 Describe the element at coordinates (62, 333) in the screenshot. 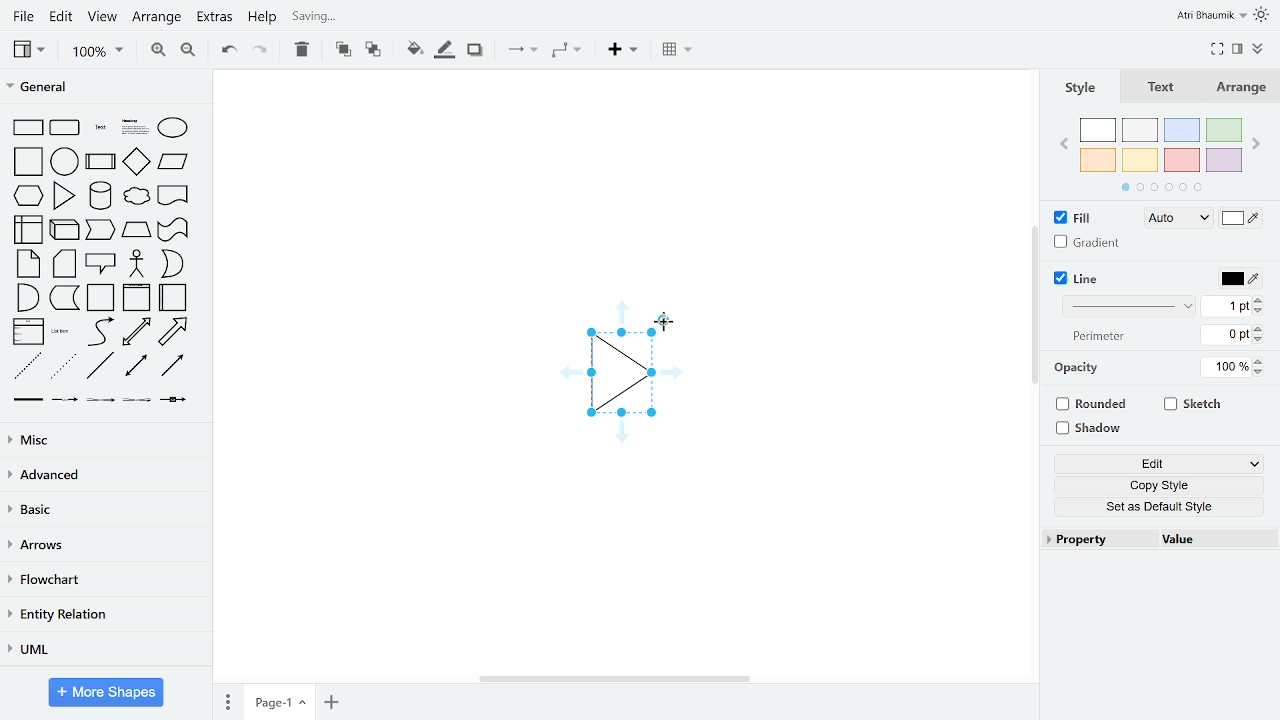

I see `list item` at that location.